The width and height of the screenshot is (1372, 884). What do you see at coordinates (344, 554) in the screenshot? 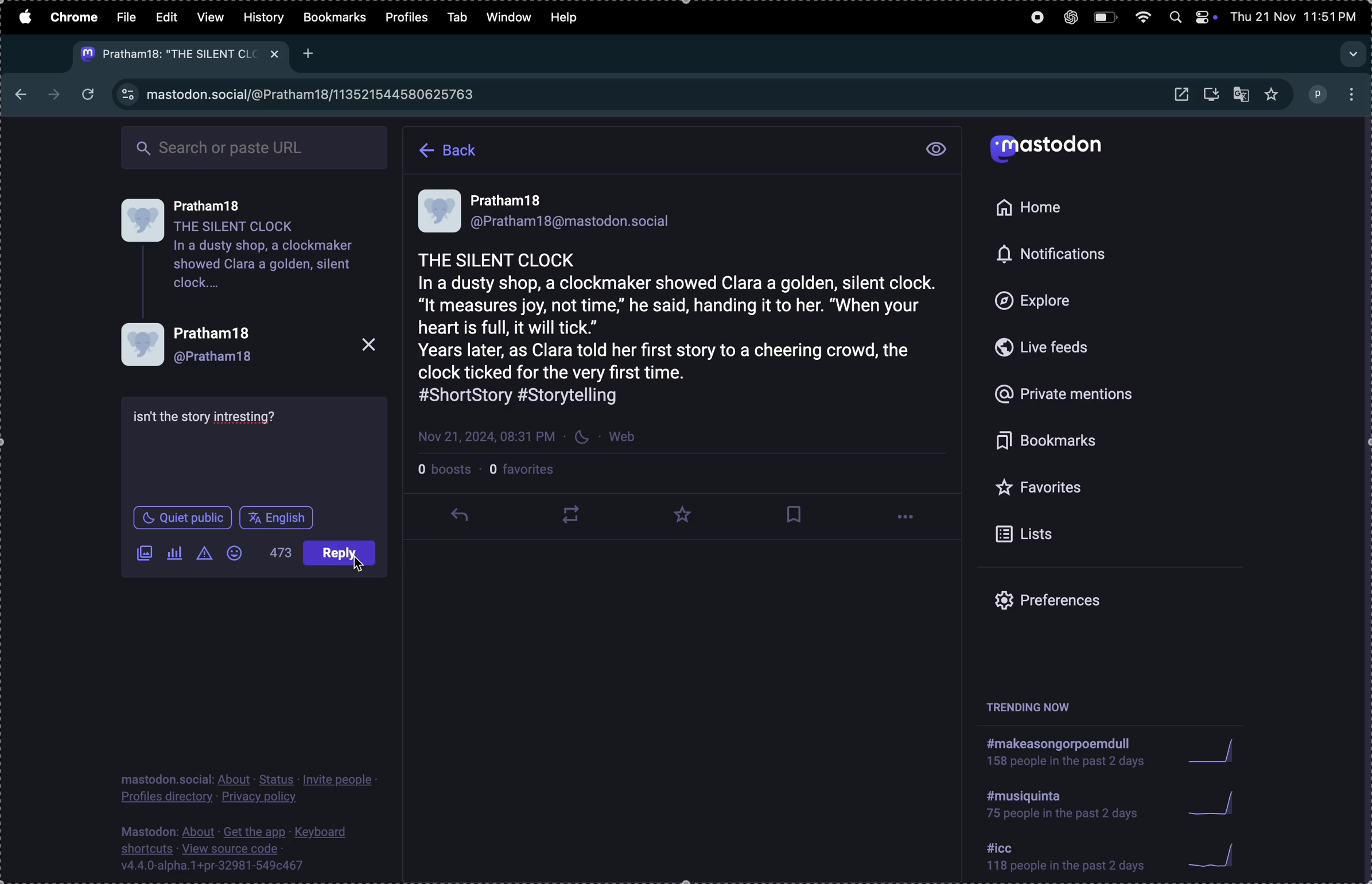
I see `language` at bounding box center [344, 554].